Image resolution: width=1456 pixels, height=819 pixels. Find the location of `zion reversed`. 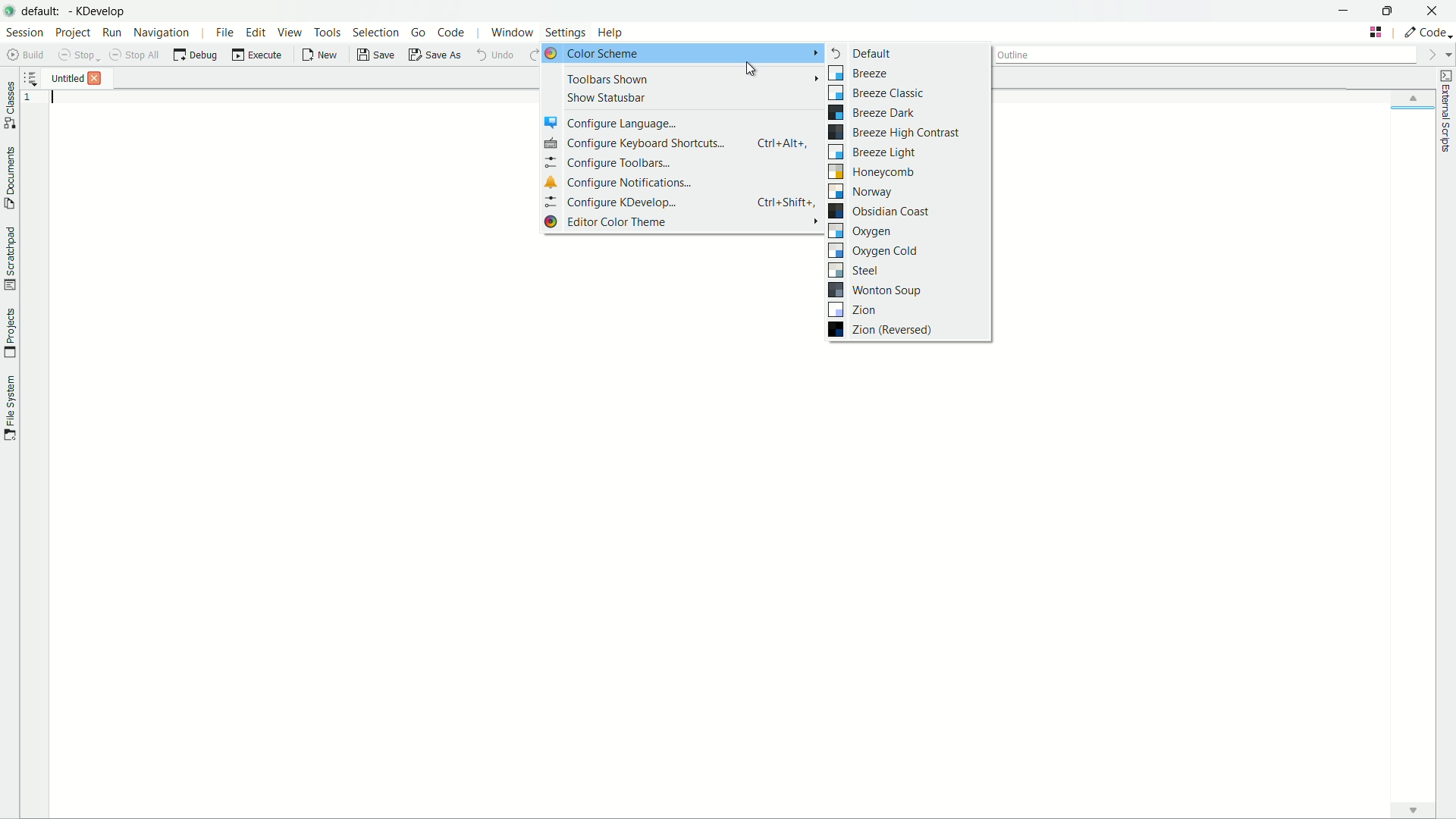

zion reversed is located at coordinates (883, 329).